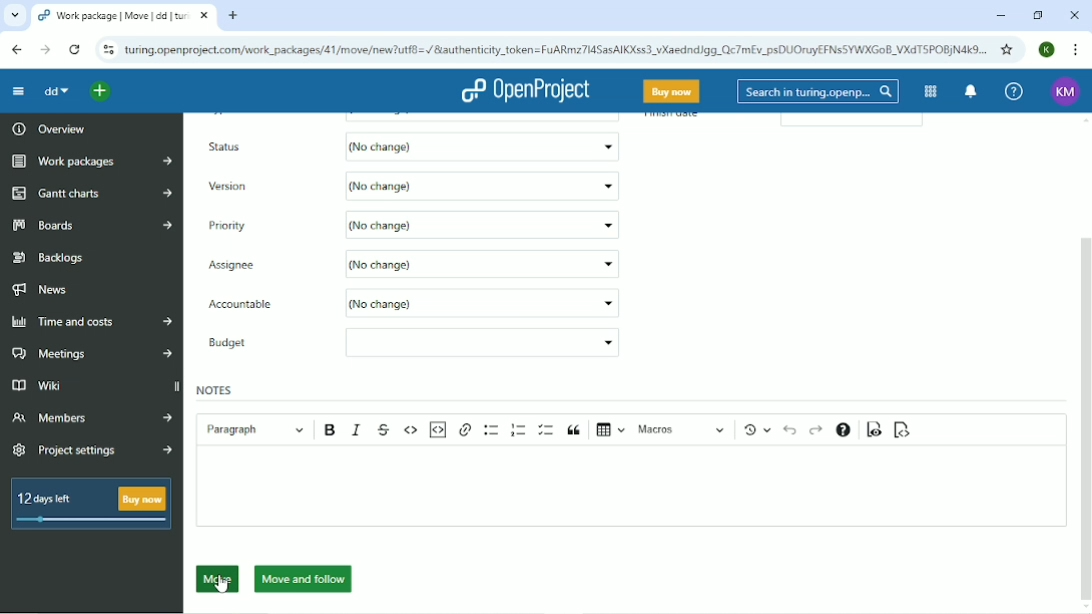 The width and height of the screenshot is (1092, 614). Describe the element at coordinates (303, 580) in the screenshot. I see `Move and follow` at that location.